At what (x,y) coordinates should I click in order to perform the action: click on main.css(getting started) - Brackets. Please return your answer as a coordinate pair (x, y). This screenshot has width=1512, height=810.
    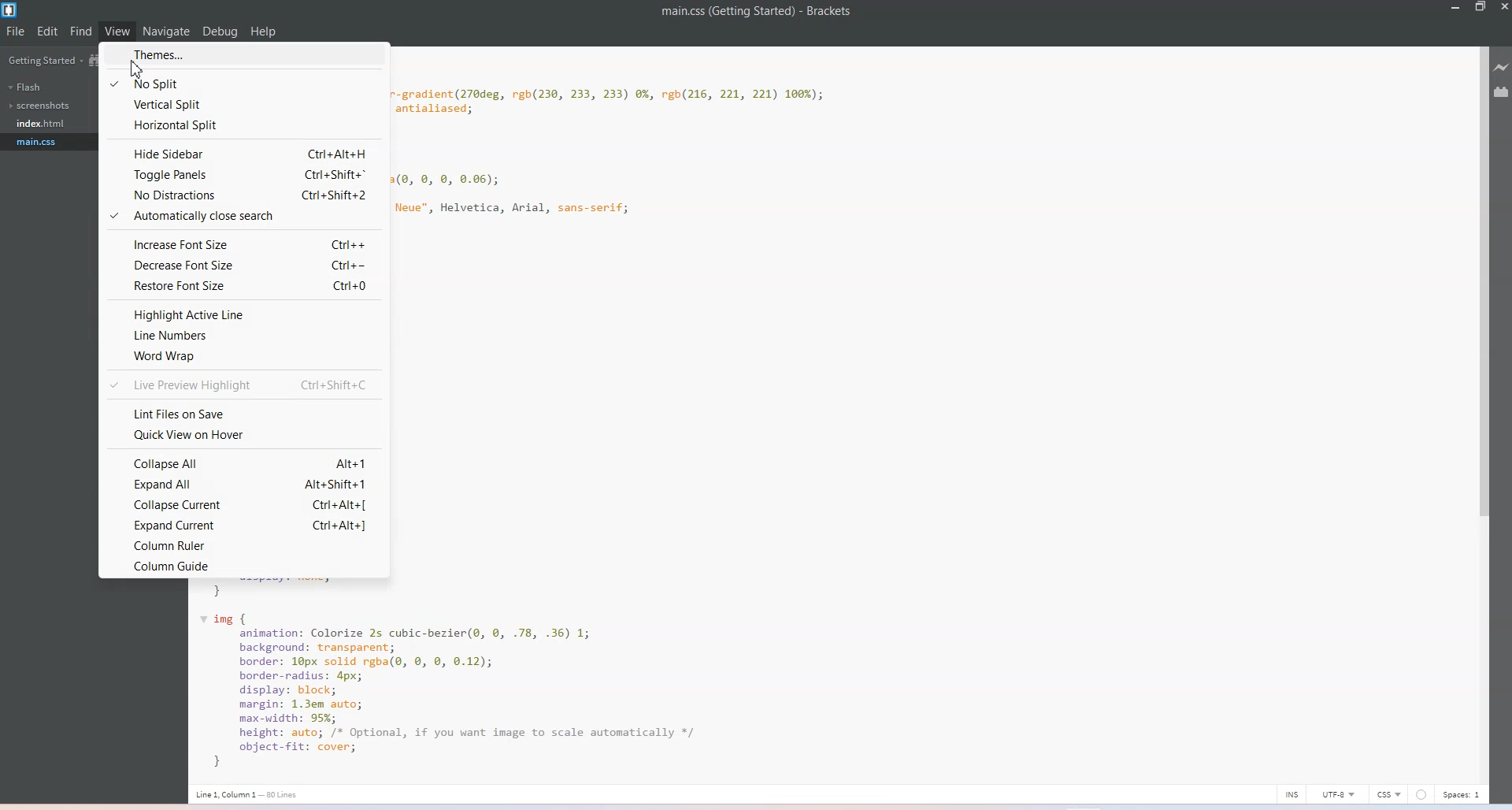
    Looking at the image, I should click on (769, 12).